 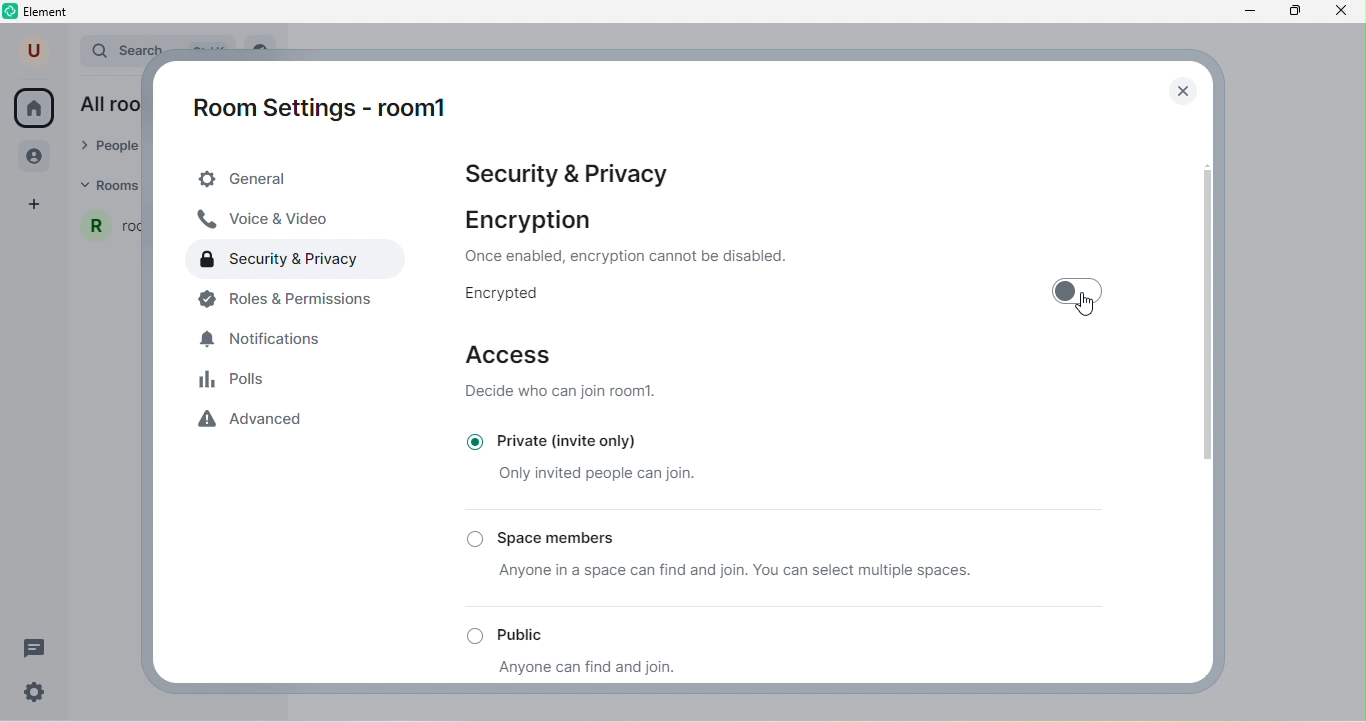 What do you see at coordinates (575, 174) in the screenshot?
I see `Security & Privacy` at bounding box center [575, 174].